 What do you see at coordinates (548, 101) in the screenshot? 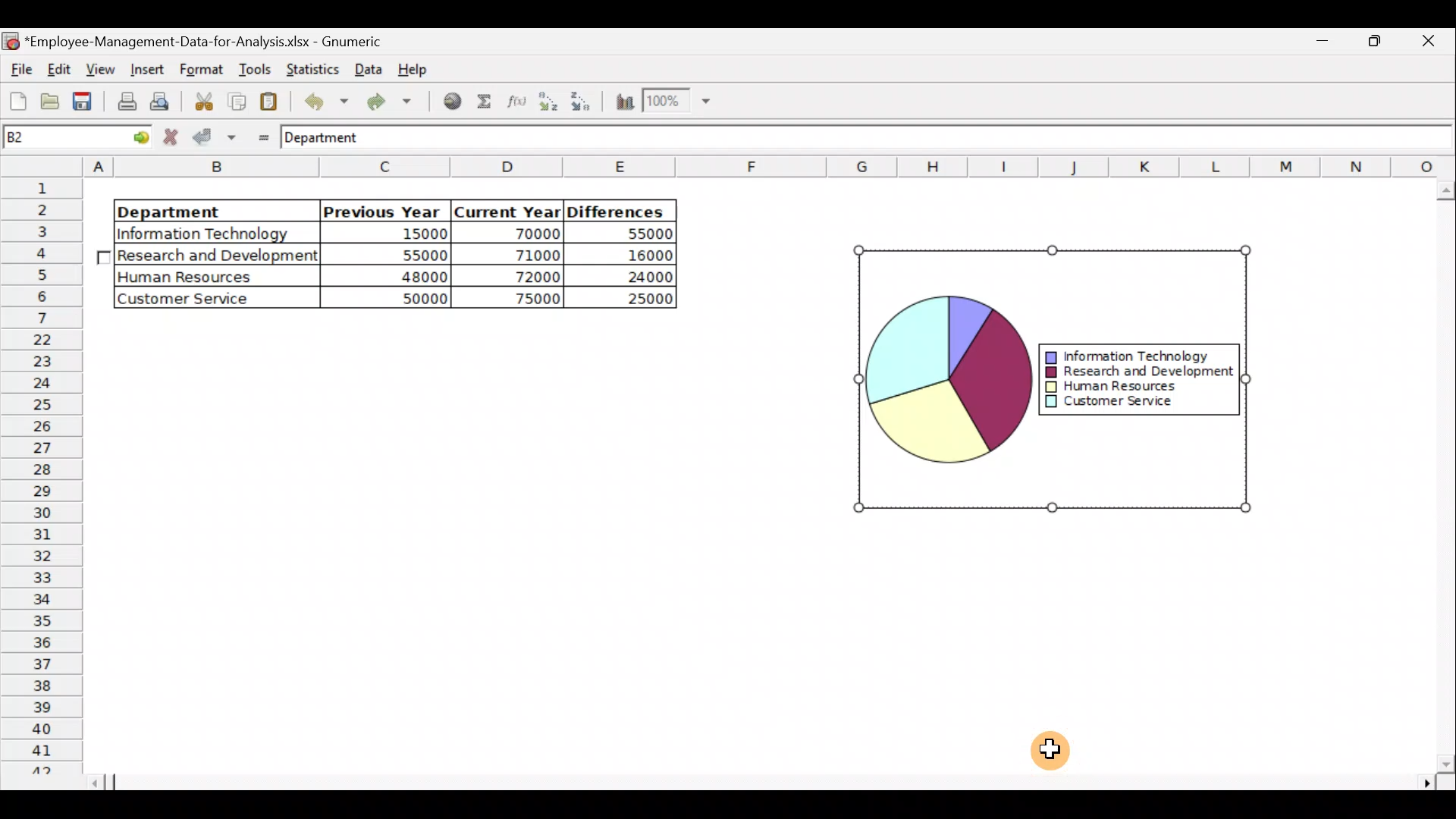
I see `Sort in Ascending order` at bounding box center [548, 101].